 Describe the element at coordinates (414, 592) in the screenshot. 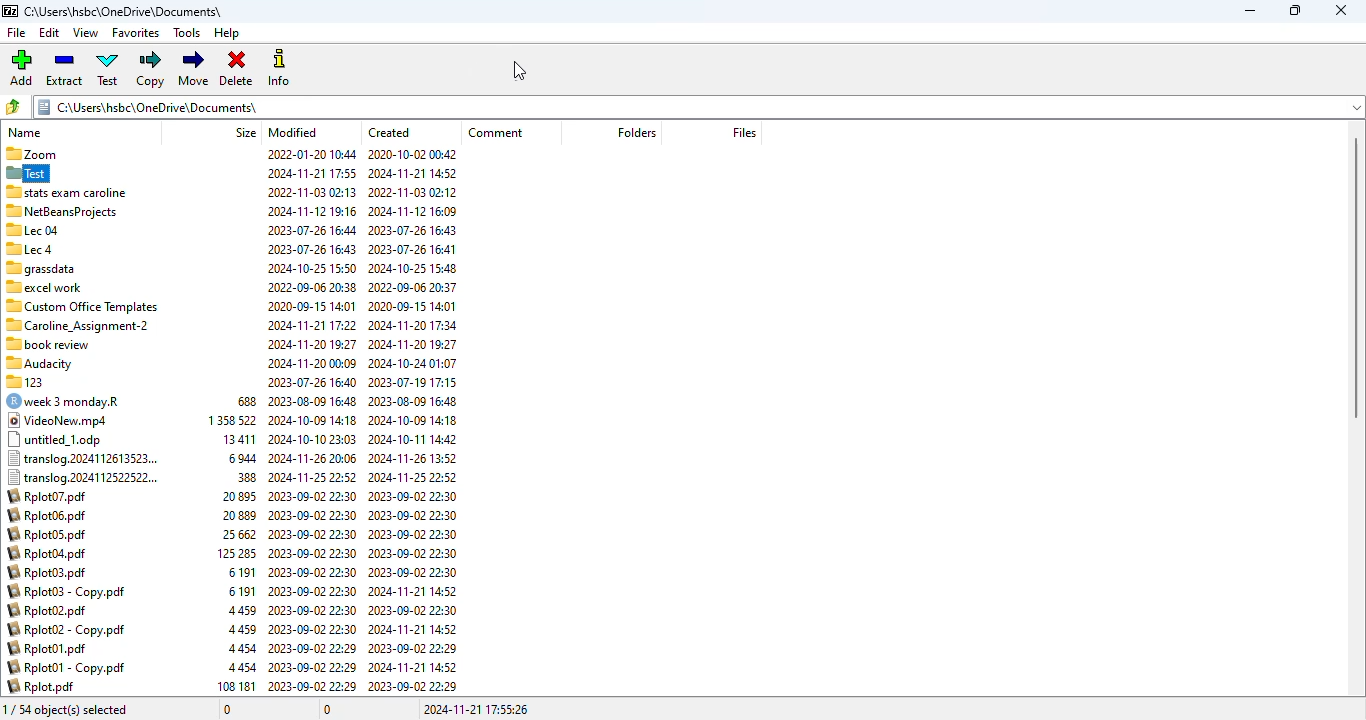

I see `2024-11-21 14:52` at that location.